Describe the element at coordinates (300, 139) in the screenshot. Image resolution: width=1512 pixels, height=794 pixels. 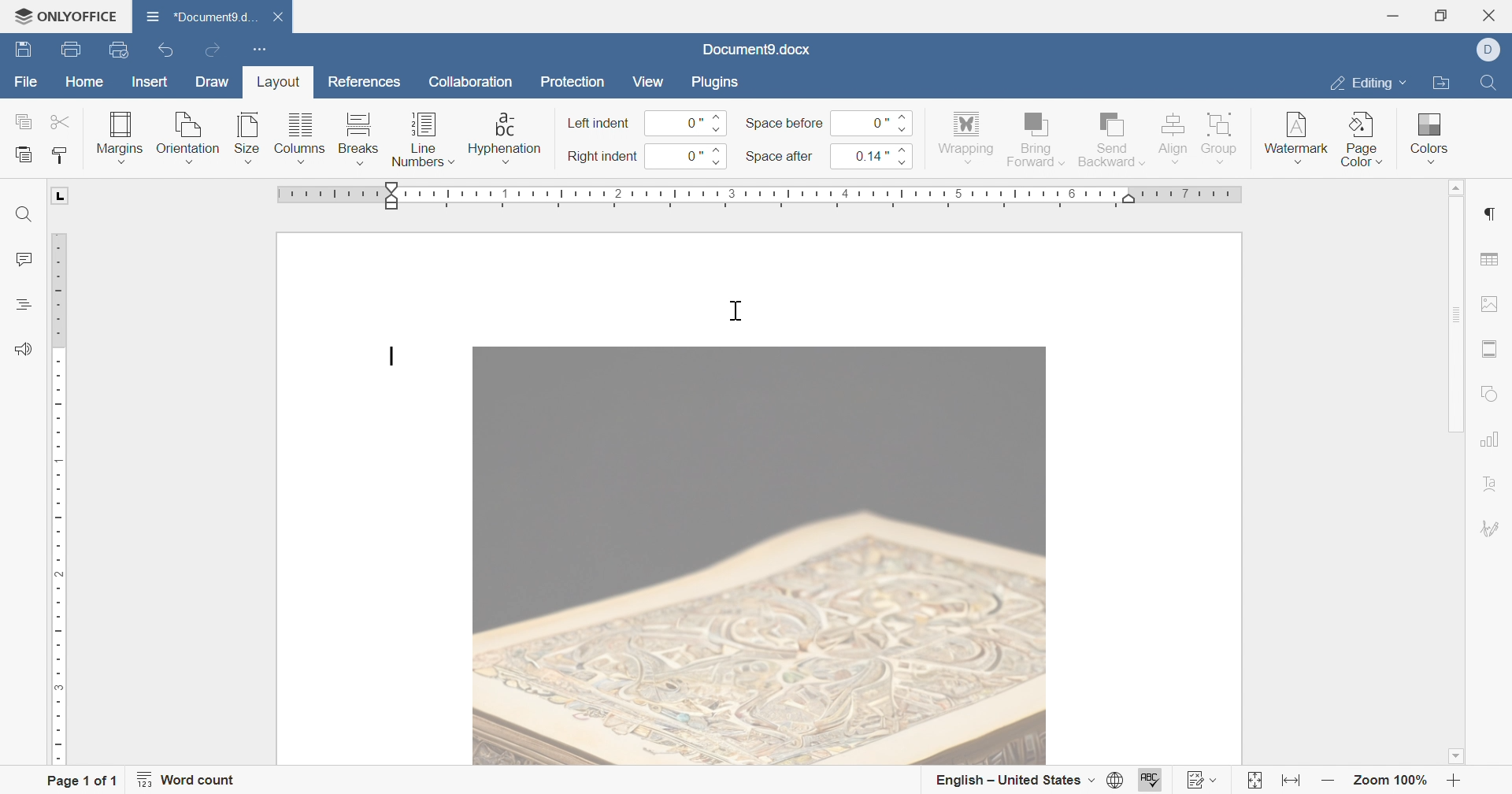
I see `columns` at that location.